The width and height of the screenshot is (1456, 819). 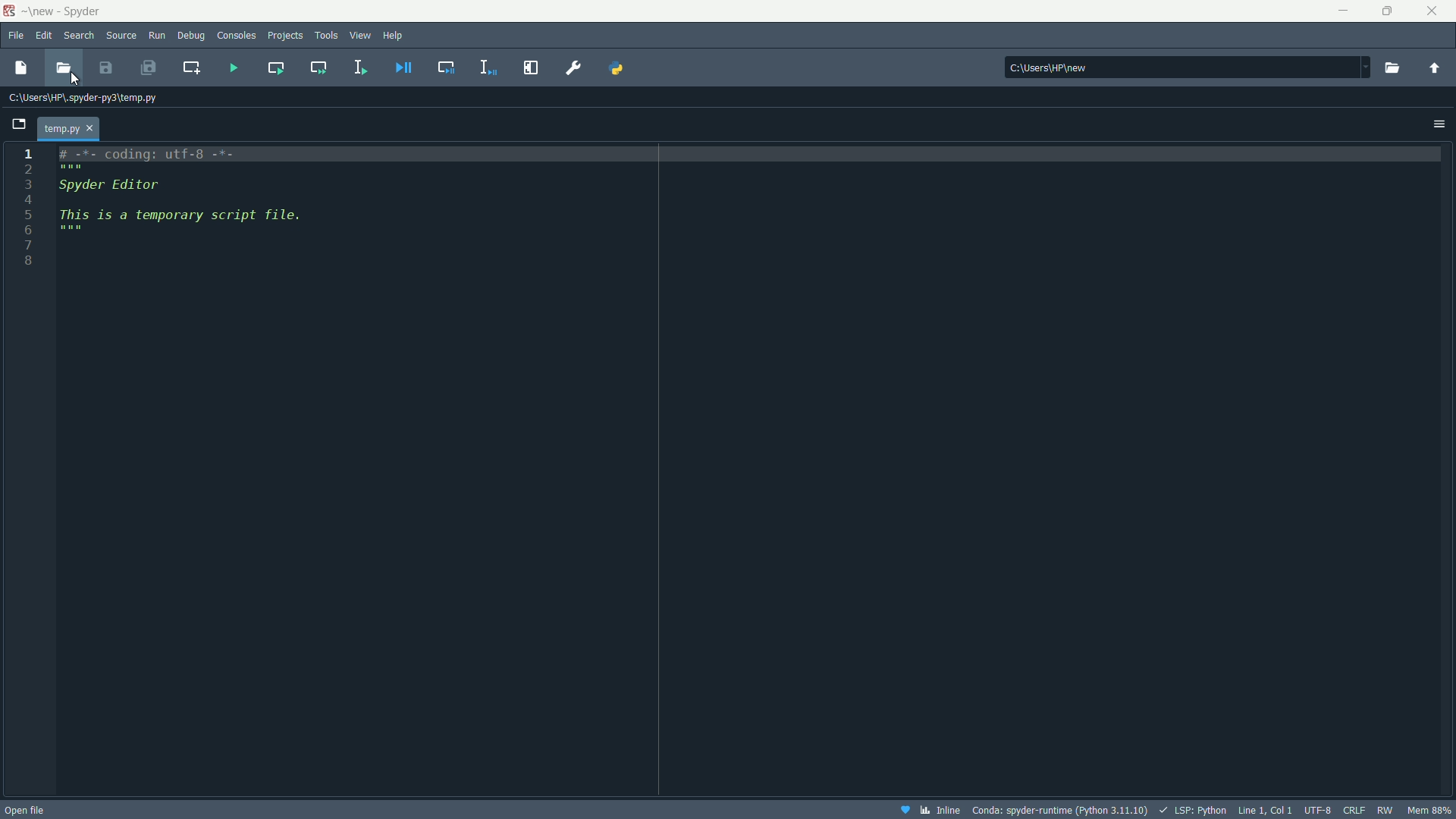 I want to click on File directory, so click(x=83, y=99).